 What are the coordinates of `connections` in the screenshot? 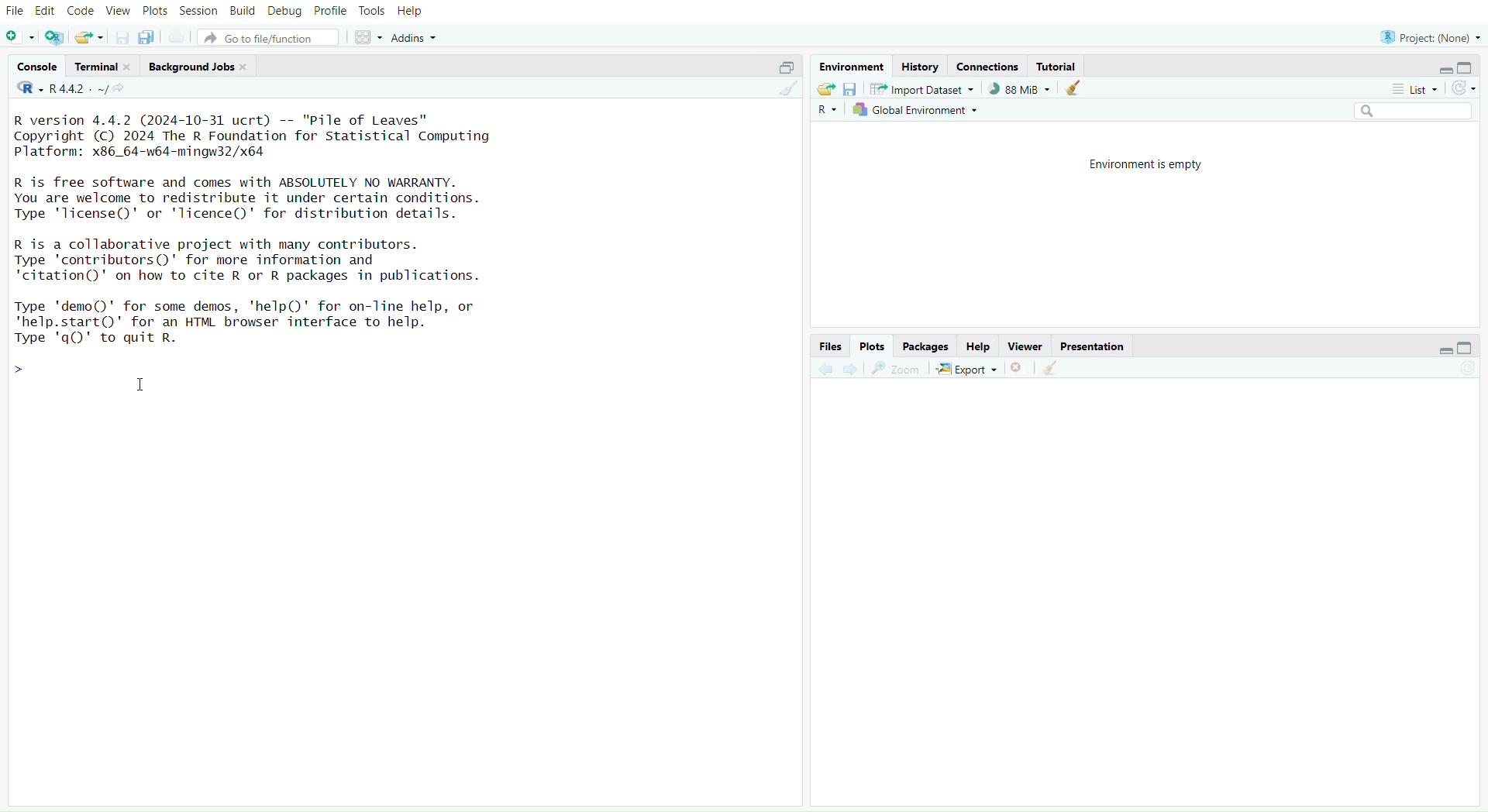 It's located at (990, 68).